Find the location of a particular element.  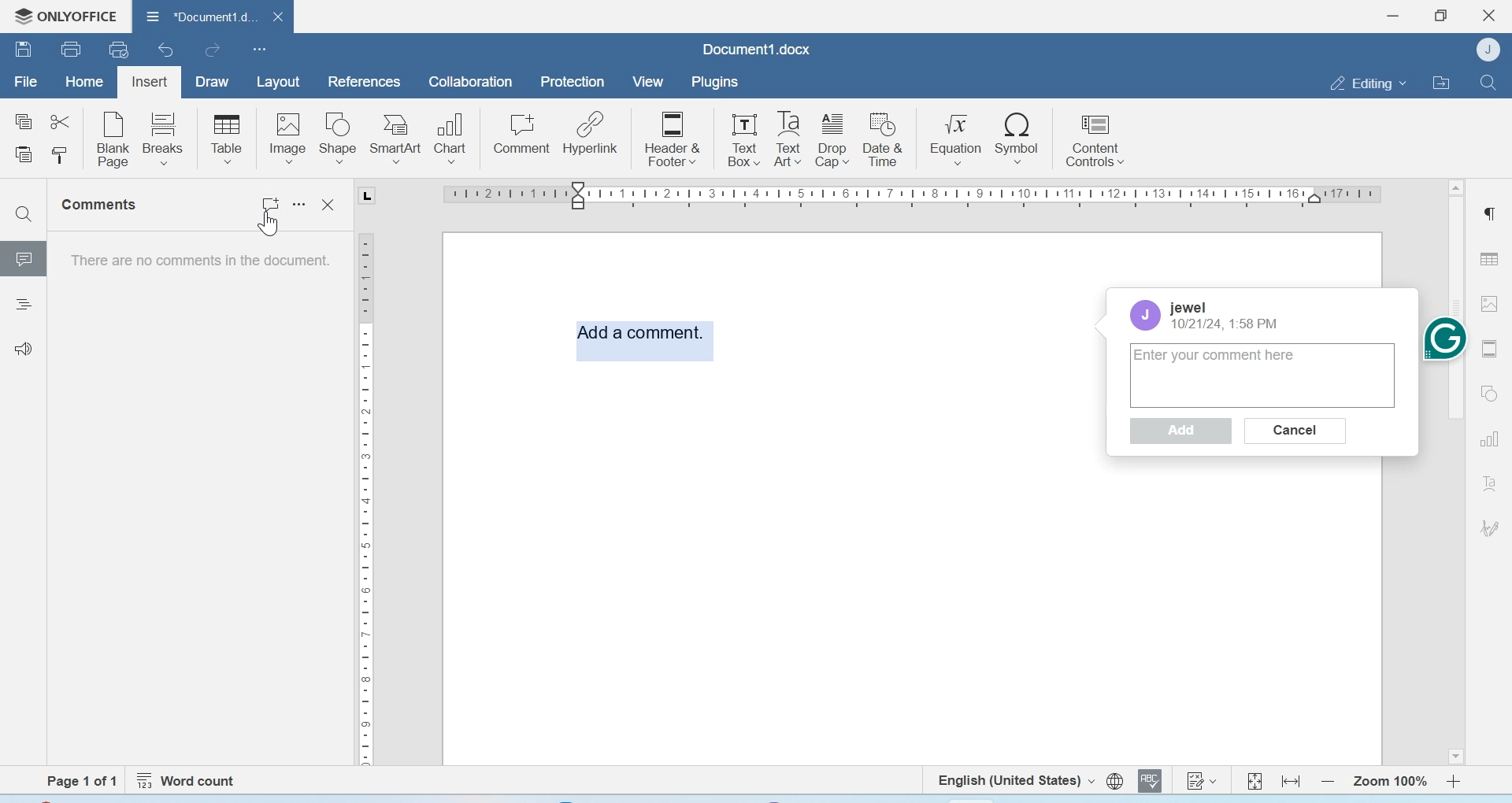

Track changes is located at coordinates (1200, 780).